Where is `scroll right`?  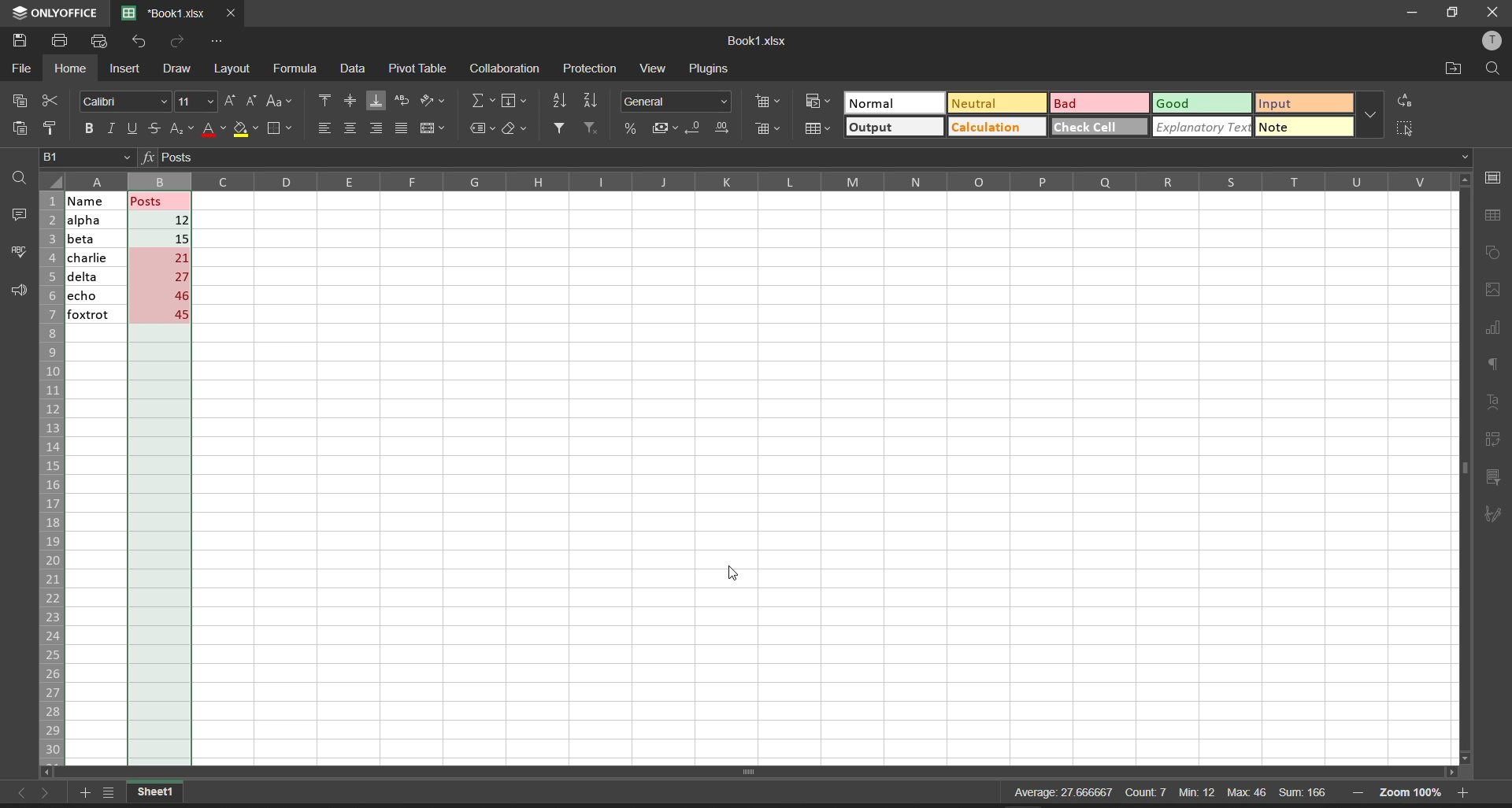
scroll right is located at coordinates (1448, 773).